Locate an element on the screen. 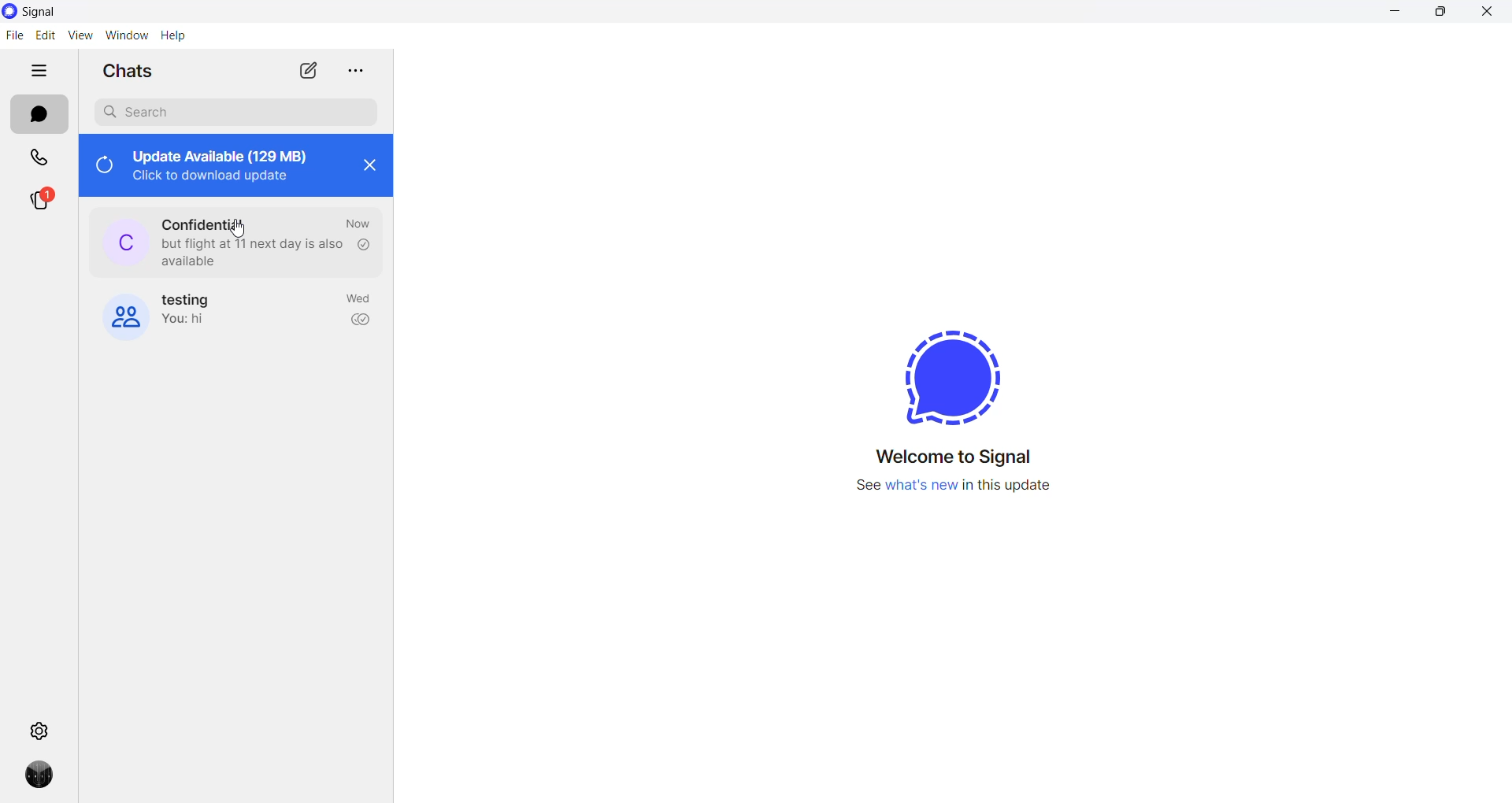 Image resolution: width=1512 pixels, height=803 pixels. chats is located at coordinates (39, 114).